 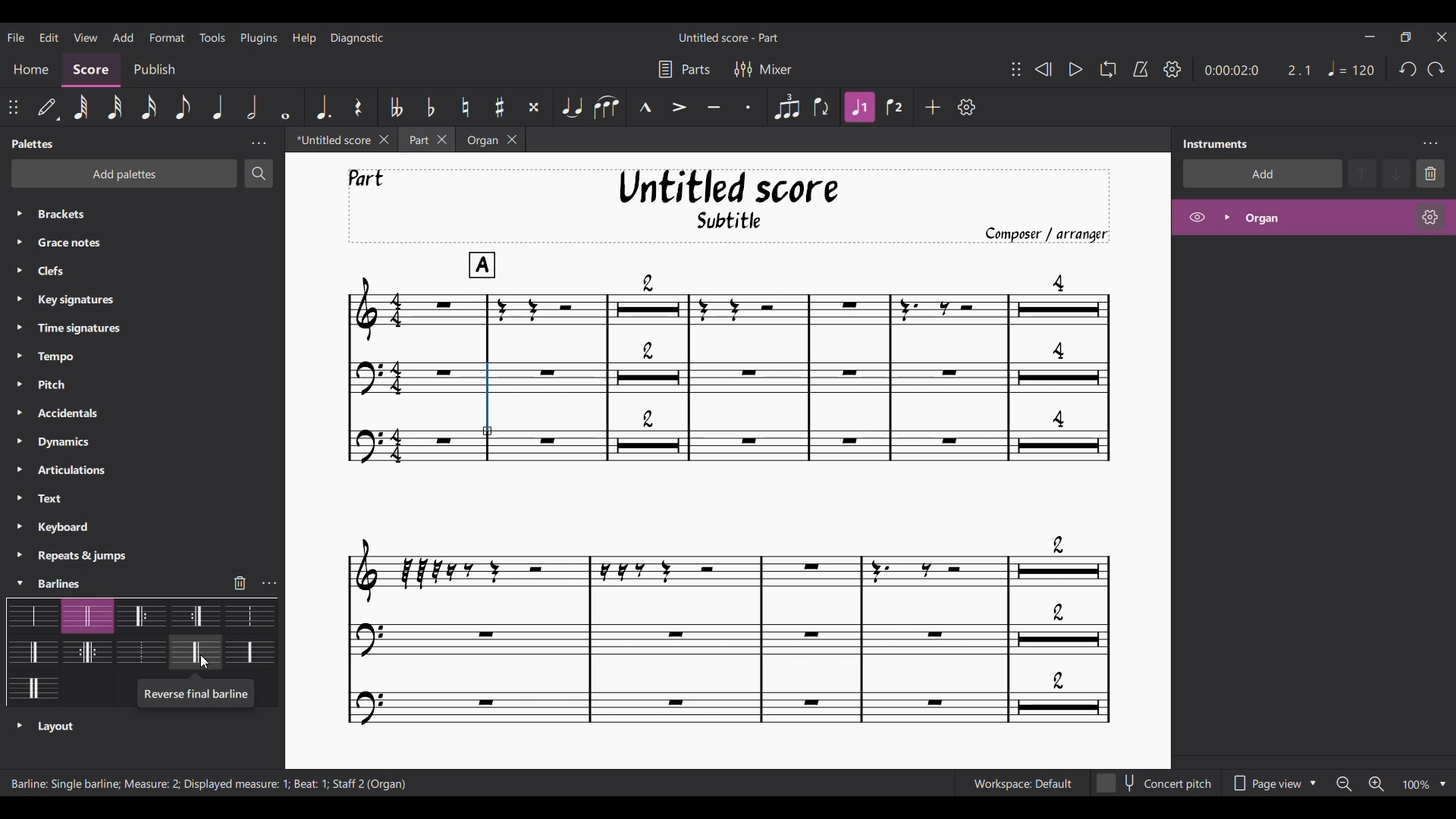 What do you see at coordinates (417, 140) in the screenshot?
I see `Part tab` at bounding box center [417, 140].